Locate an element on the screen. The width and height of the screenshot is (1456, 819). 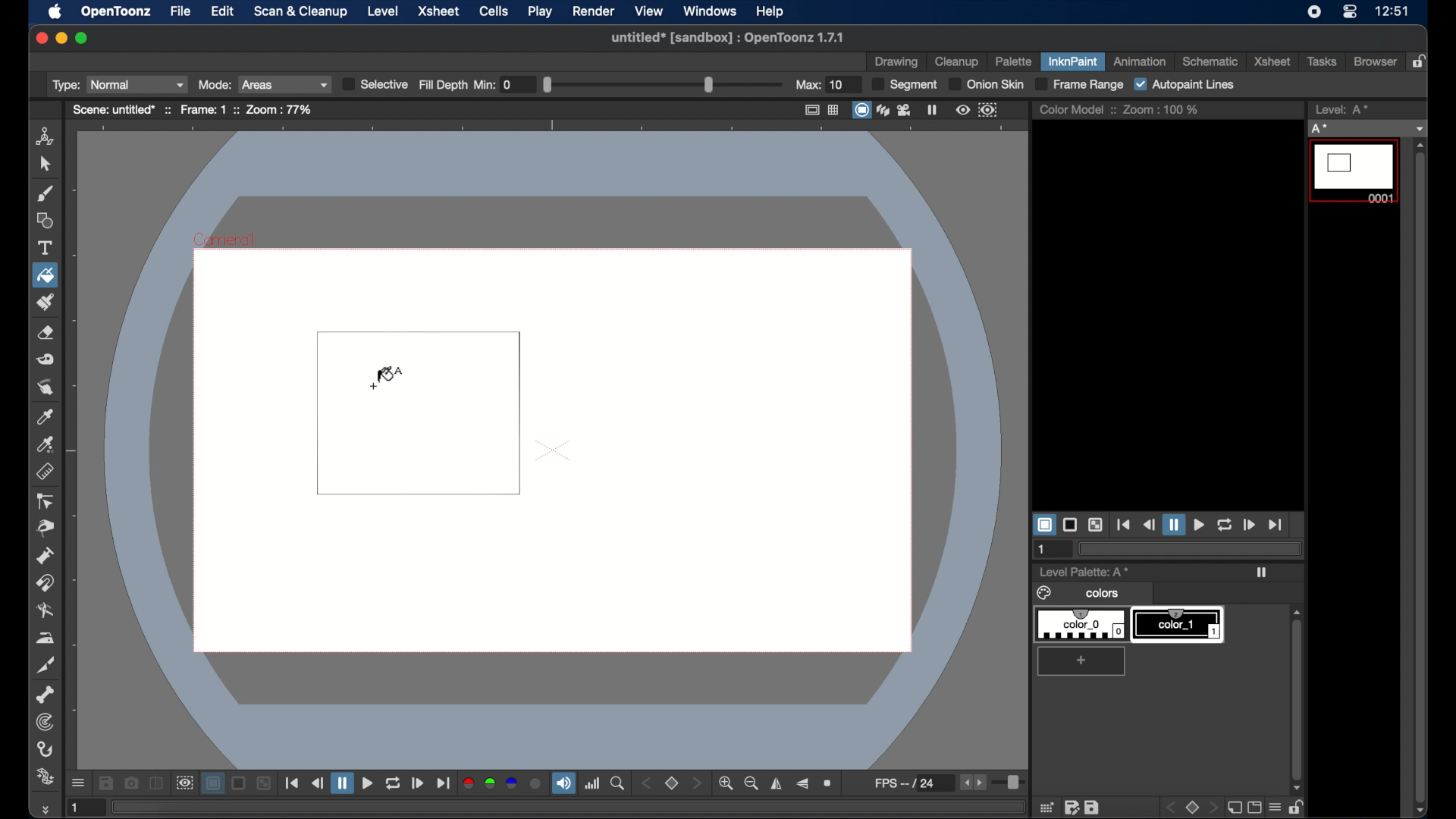
play is located at coordinates (1198, 526).